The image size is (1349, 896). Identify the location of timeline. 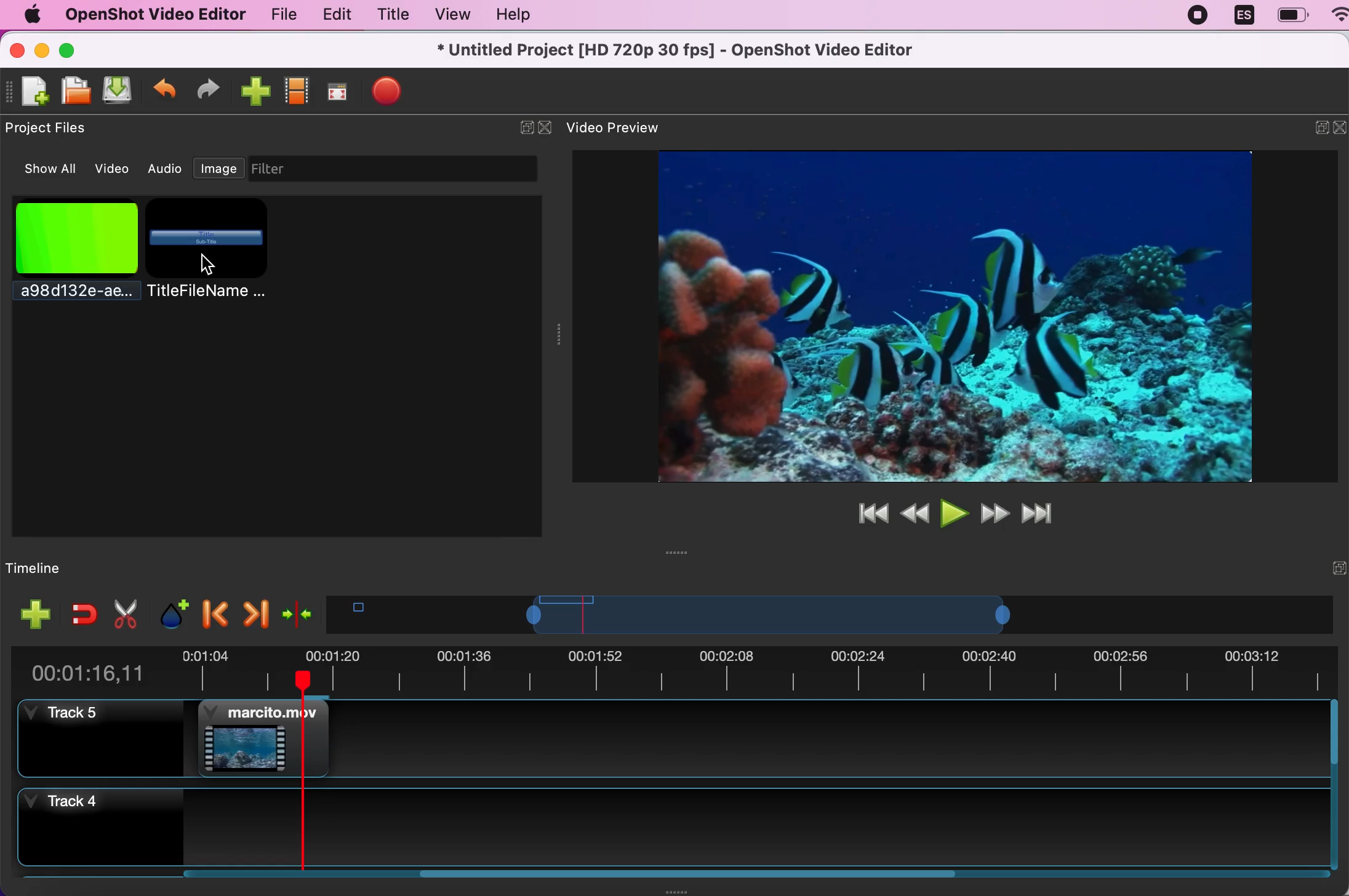
(815, 614).